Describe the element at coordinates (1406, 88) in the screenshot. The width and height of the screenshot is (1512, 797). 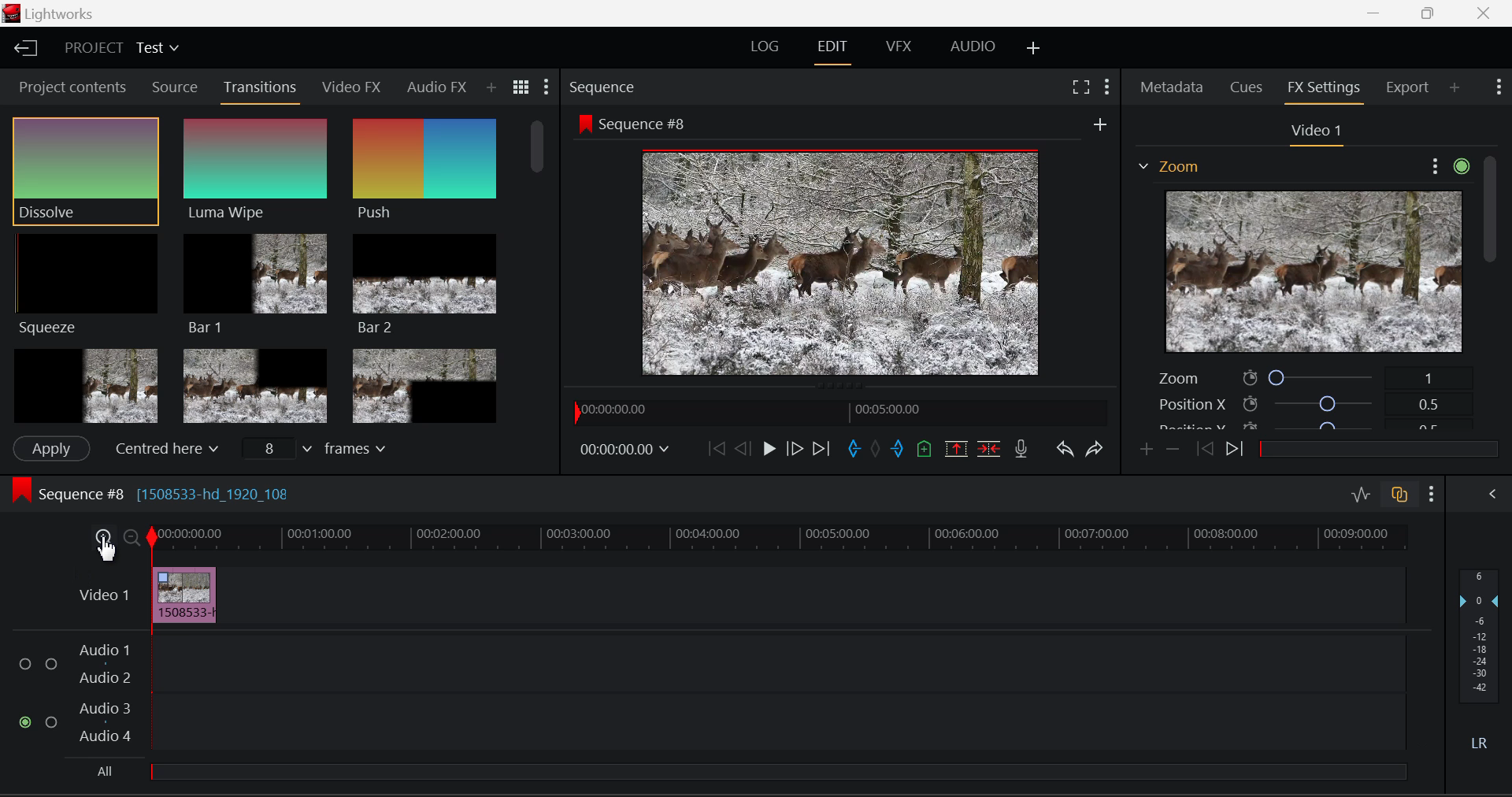
I see `Export` at that location.